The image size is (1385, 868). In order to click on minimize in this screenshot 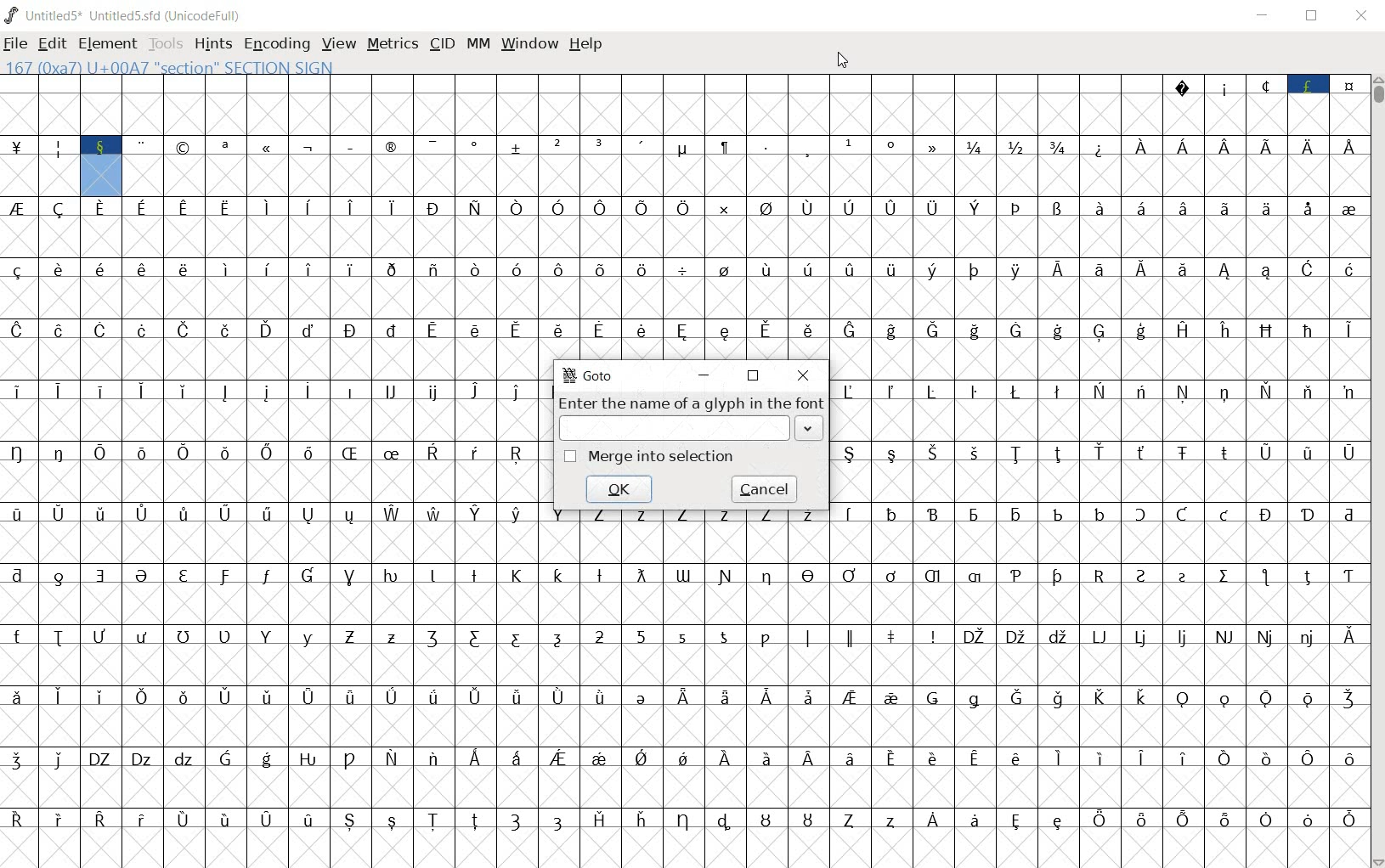, I will do `click(1265, 14)`.